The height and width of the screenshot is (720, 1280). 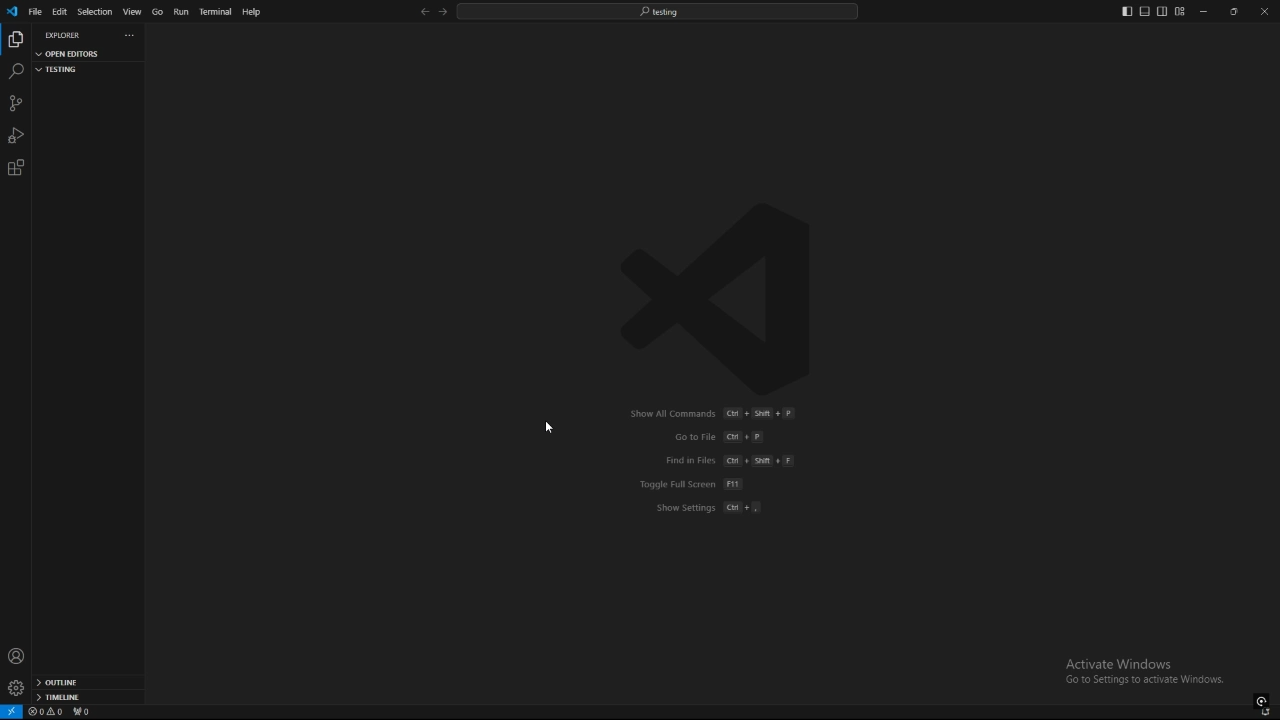 What do you see at coordinates (1267, 713) in the screenshot?
I see `notifications` at bounding box center [1267, 713].